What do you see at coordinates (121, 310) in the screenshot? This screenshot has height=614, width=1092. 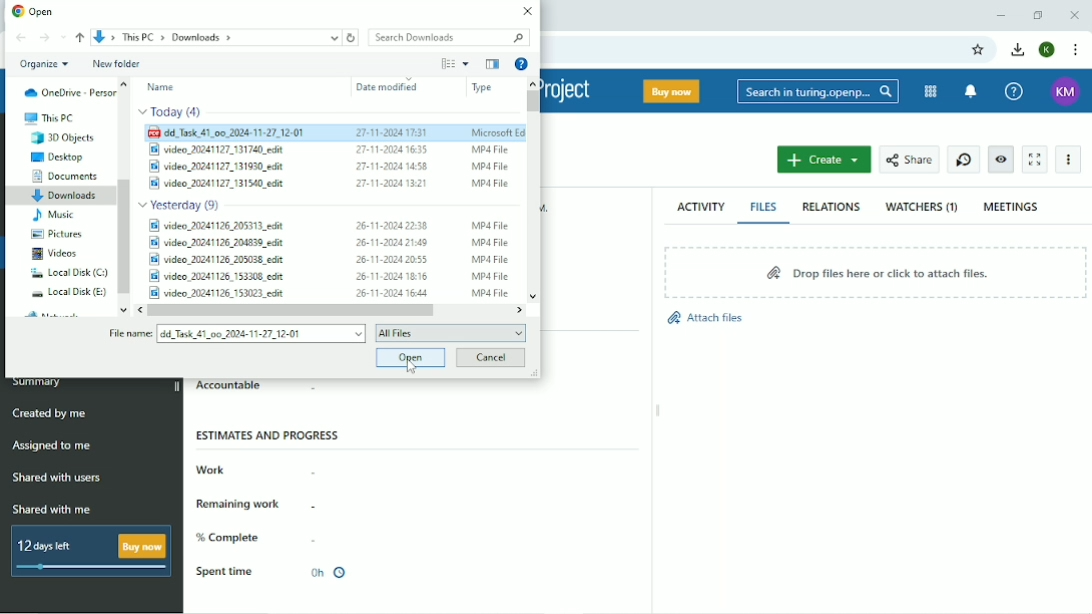 I see `scroll down` at bounding box center [121, 310].